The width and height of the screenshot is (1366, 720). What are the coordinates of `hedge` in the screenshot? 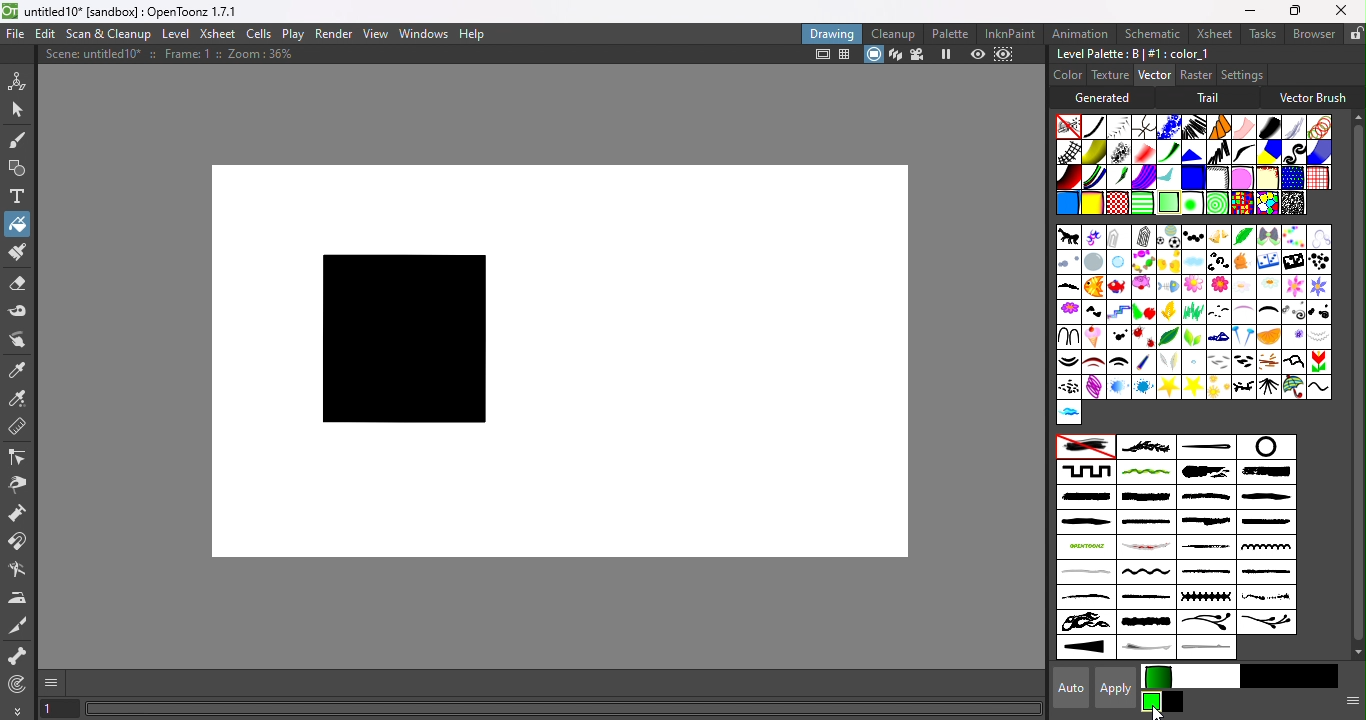 It's located at (1291, 312).